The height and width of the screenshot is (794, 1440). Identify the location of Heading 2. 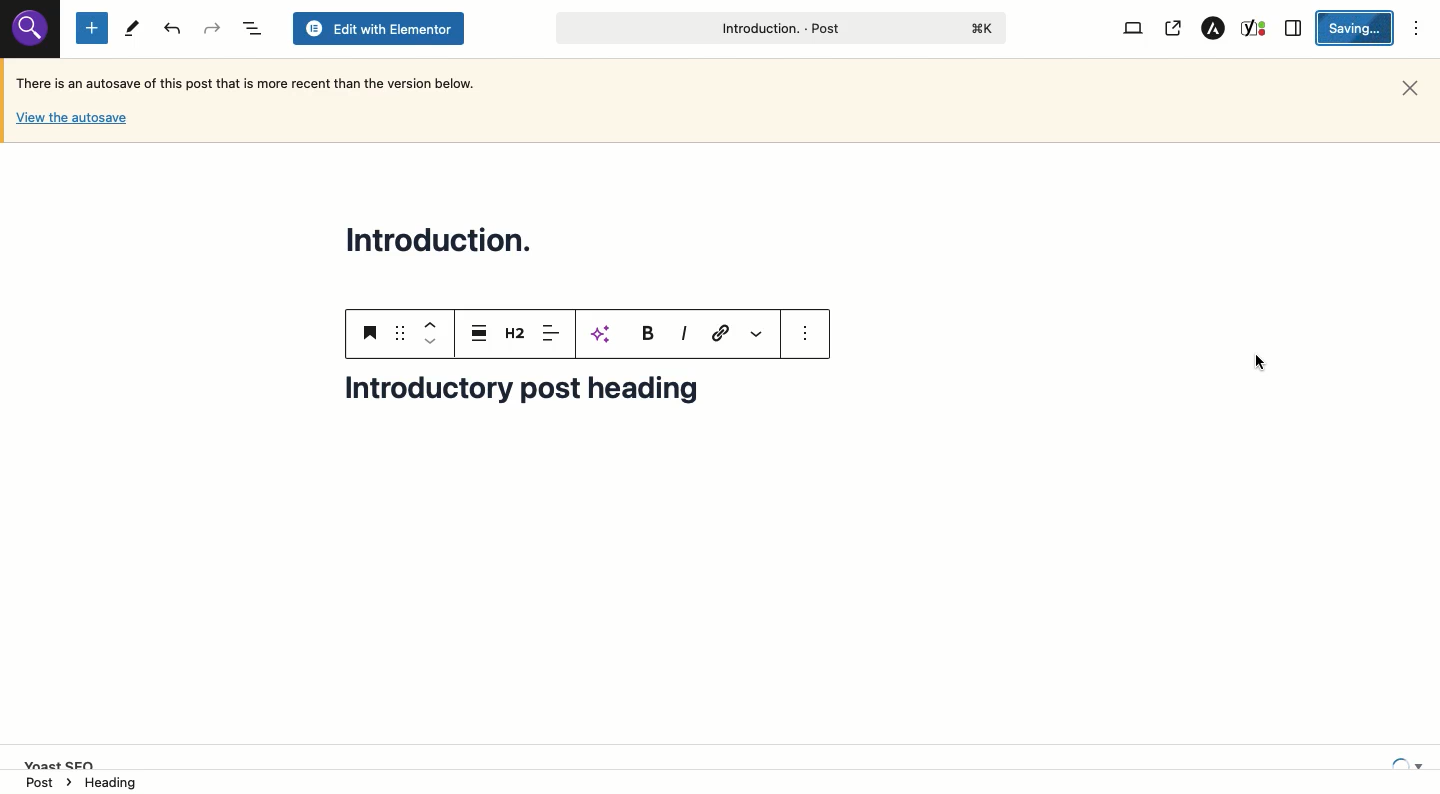
(517, 332).